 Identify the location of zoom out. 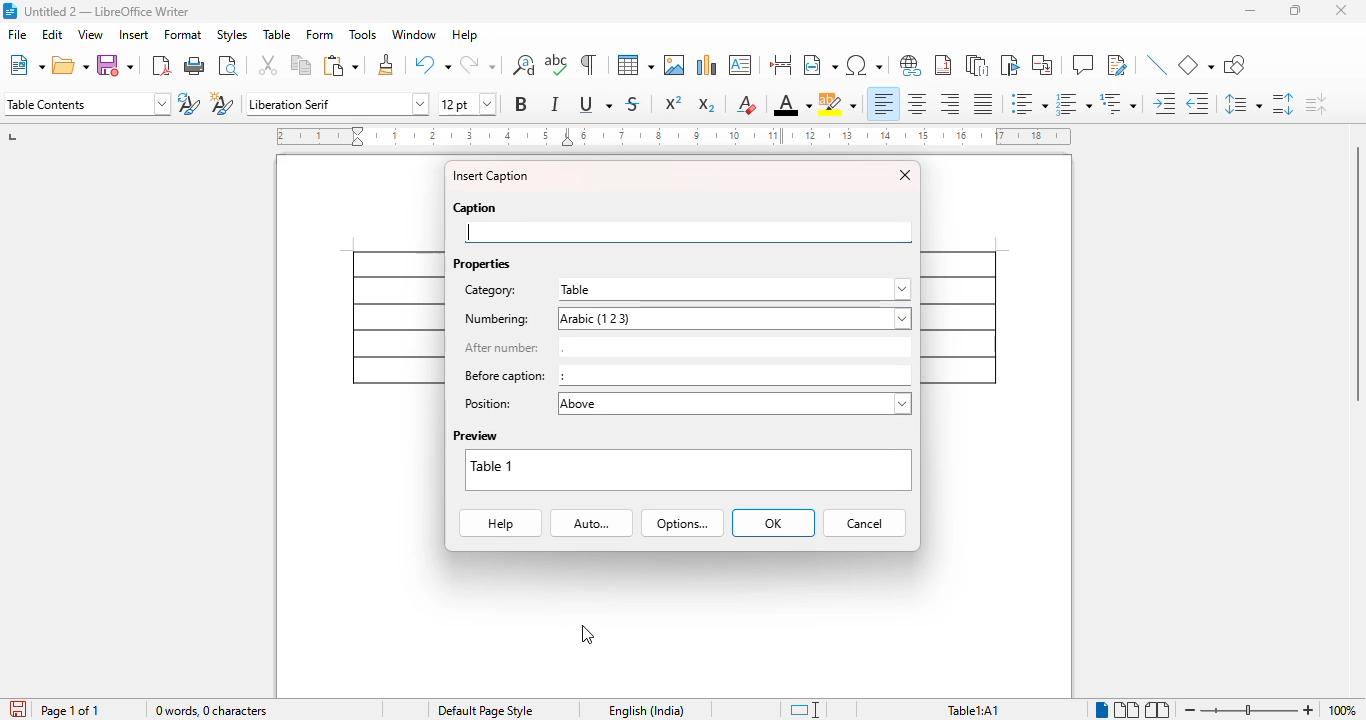
(1190, 711).